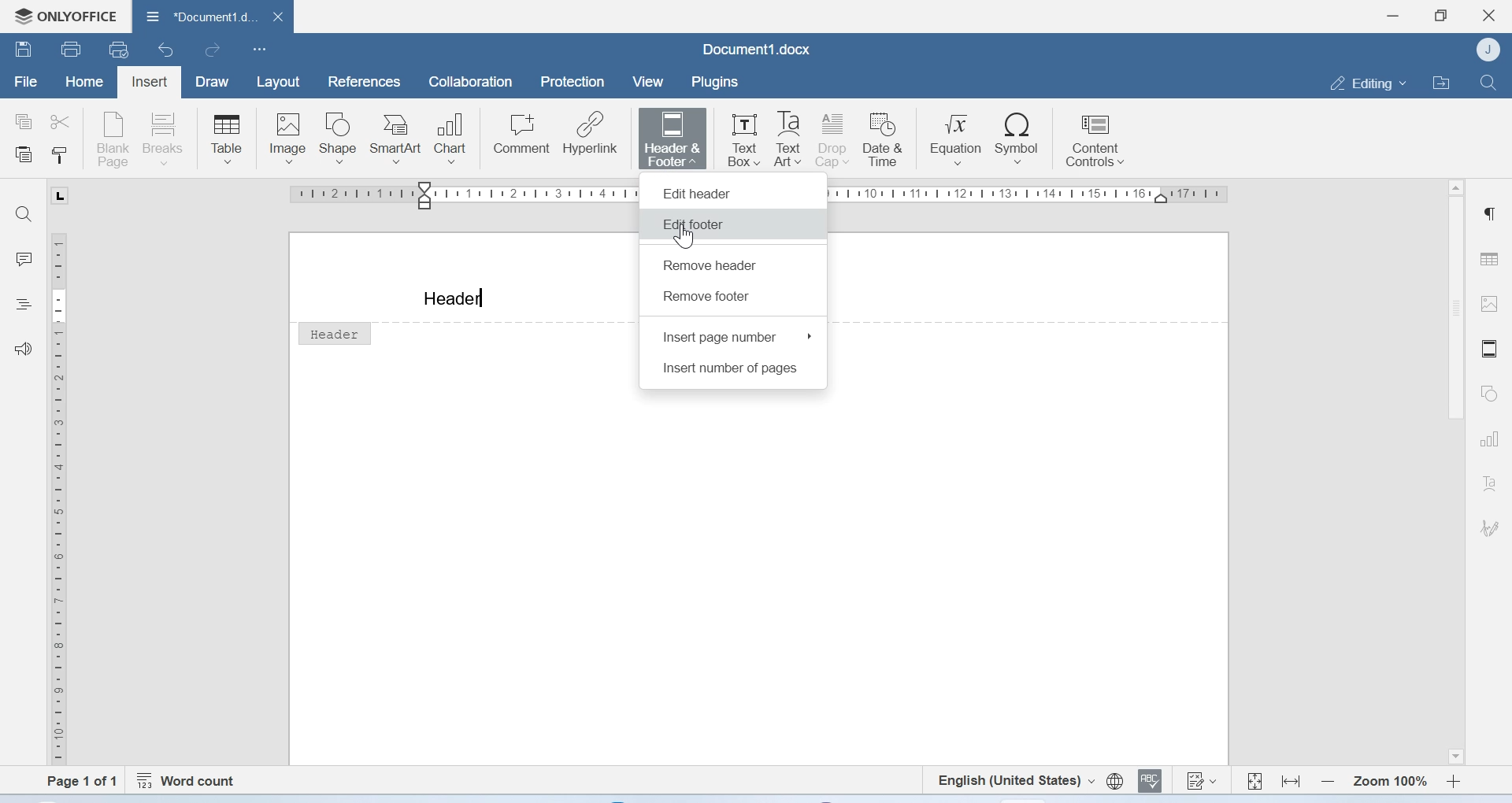 The width and height of the screenshot is (1512, 803). What do you see at coordinates (65, 496) in the screenshot?
I see `Scale` at bounding box center [65, 496].